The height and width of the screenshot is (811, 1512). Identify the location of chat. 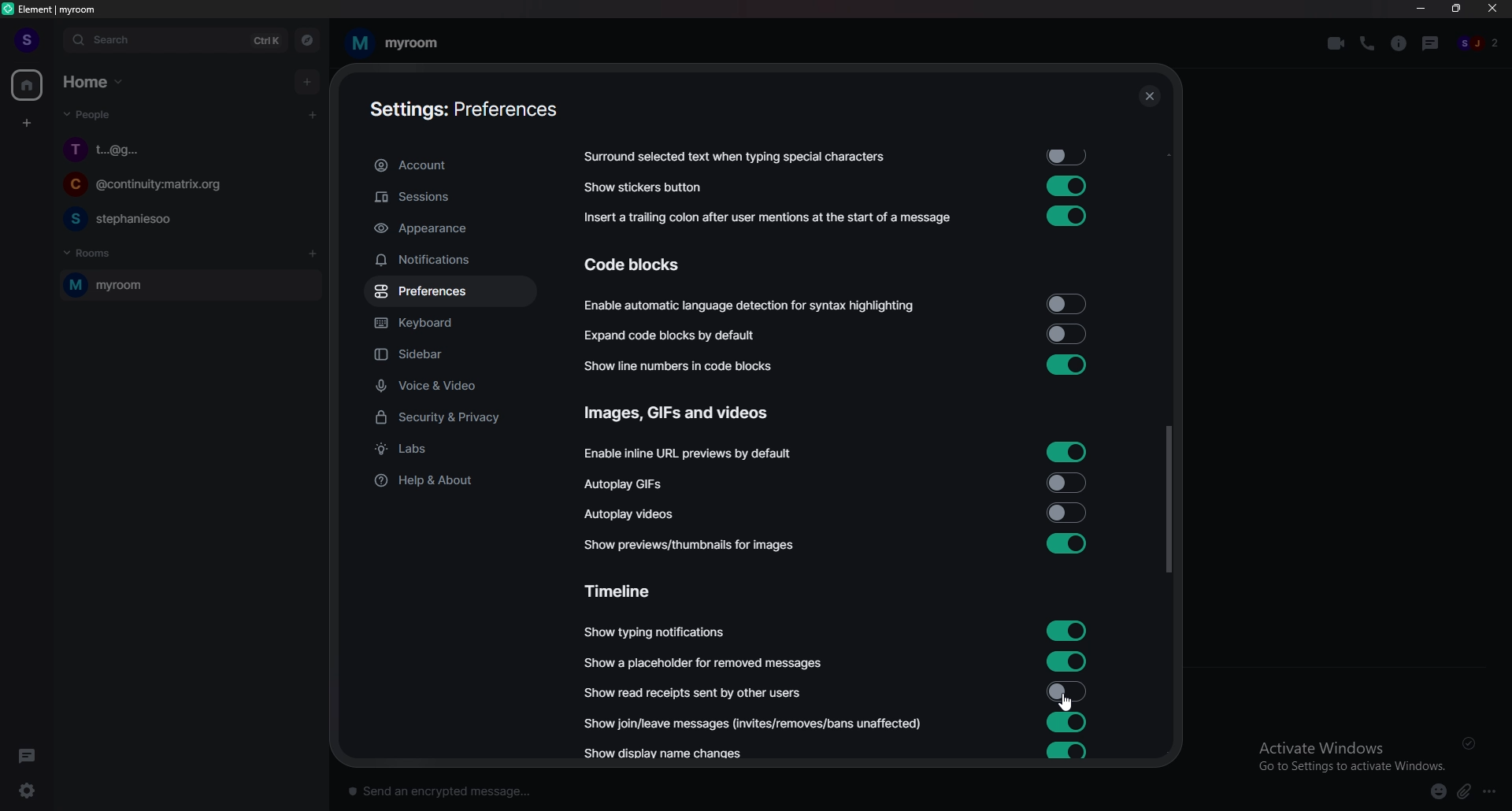
(186, 218).